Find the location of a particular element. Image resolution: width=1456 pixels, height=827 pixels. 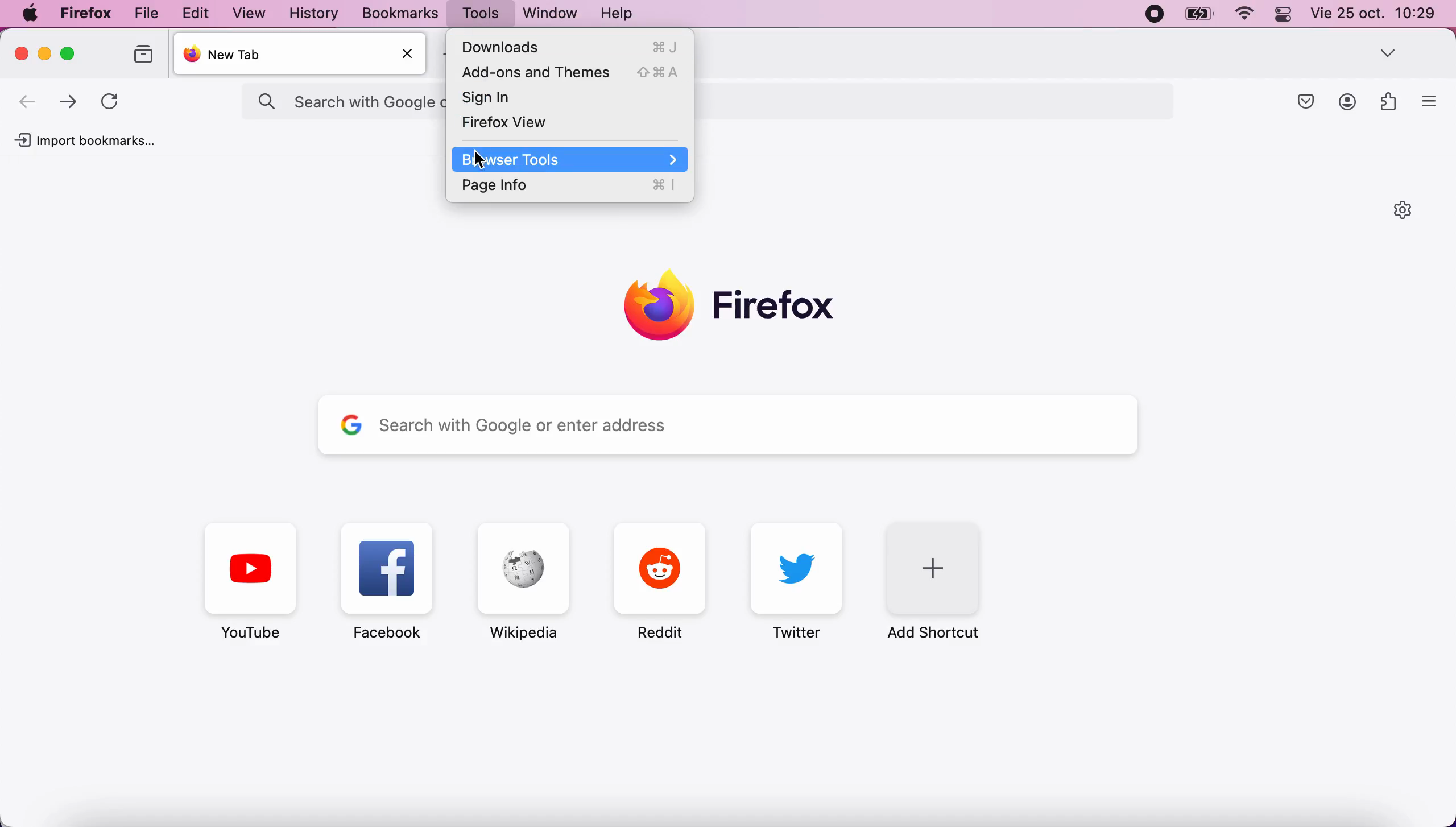

Page Info is located at coordinates (570, 185).